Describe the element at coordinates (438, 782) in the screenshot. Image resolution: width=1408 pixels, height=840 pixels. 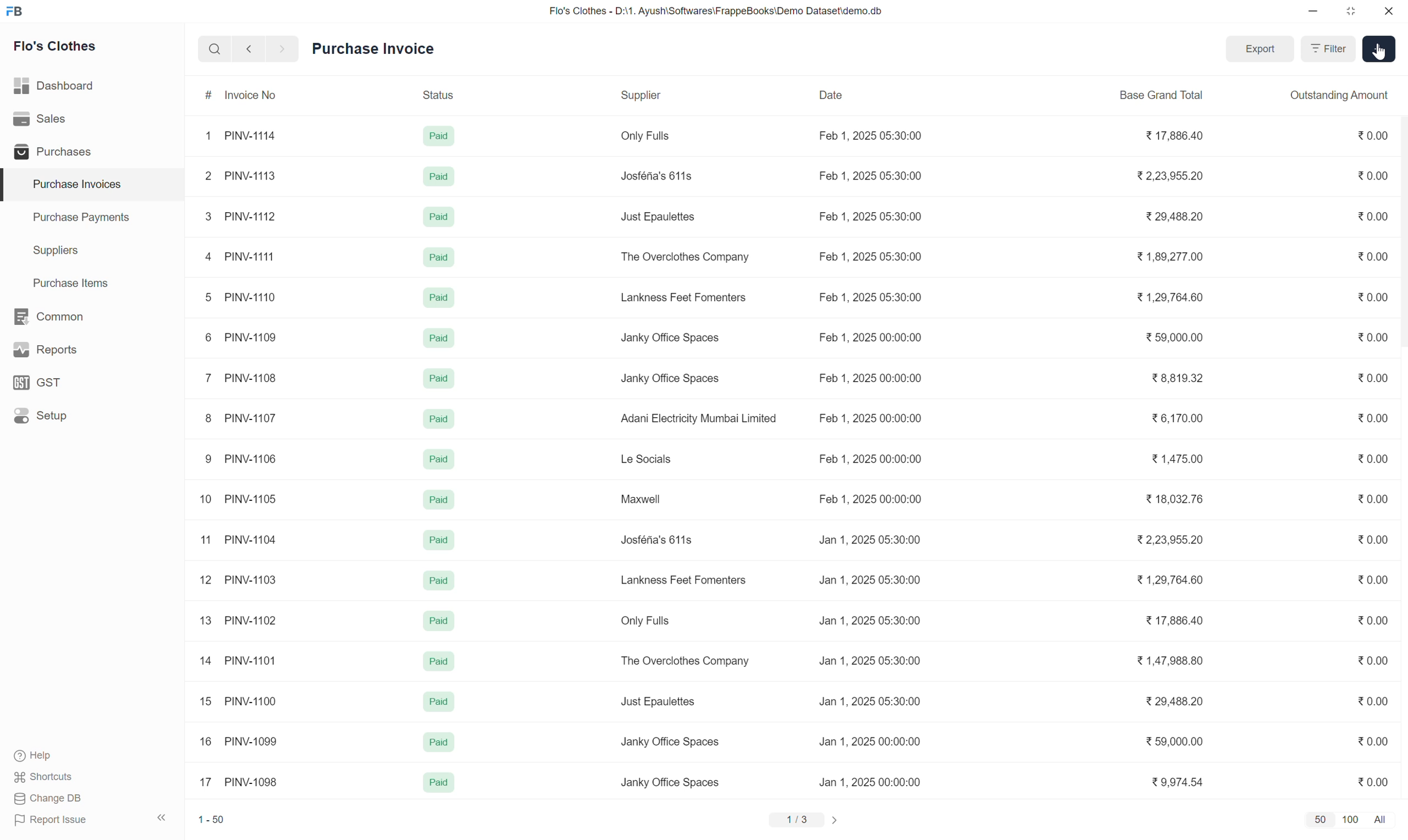
I see `Paid` at that location.